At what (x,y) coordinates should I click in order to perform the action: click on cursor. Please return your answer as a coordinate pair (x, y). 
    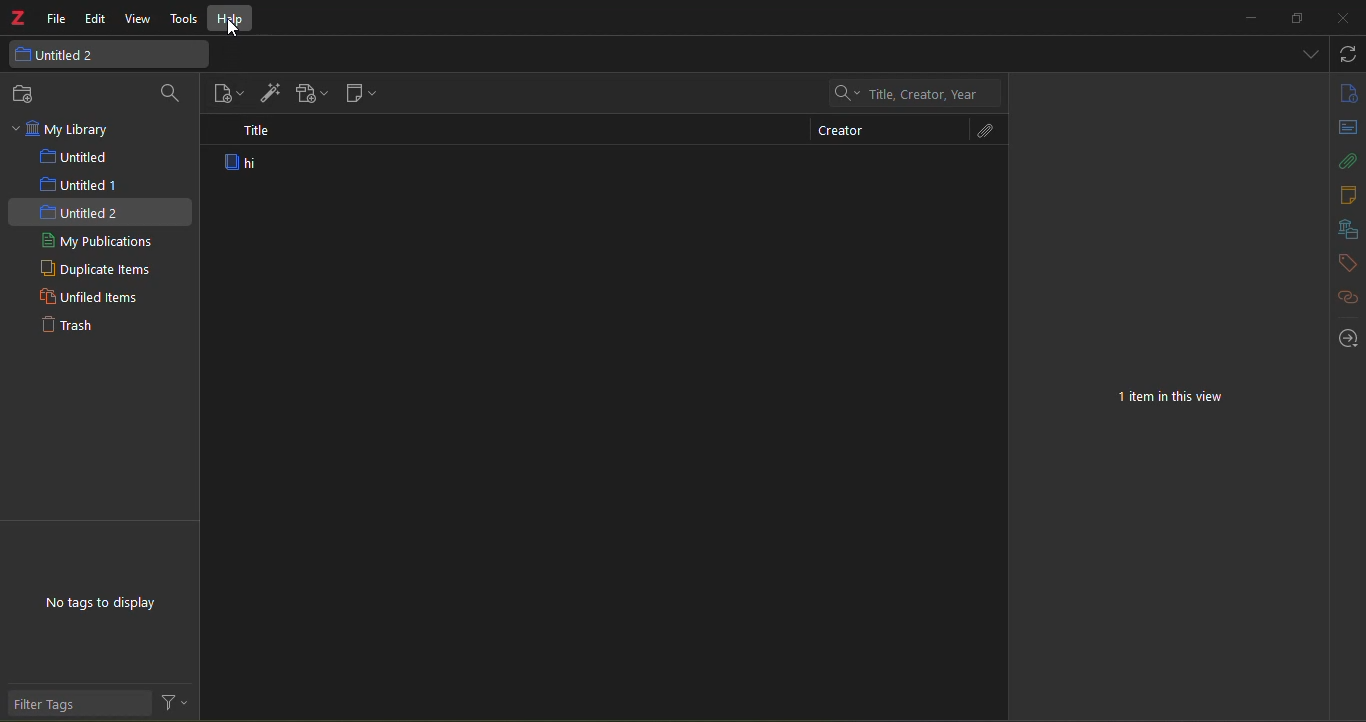
    Looking at the image, I should click on (236, 30).